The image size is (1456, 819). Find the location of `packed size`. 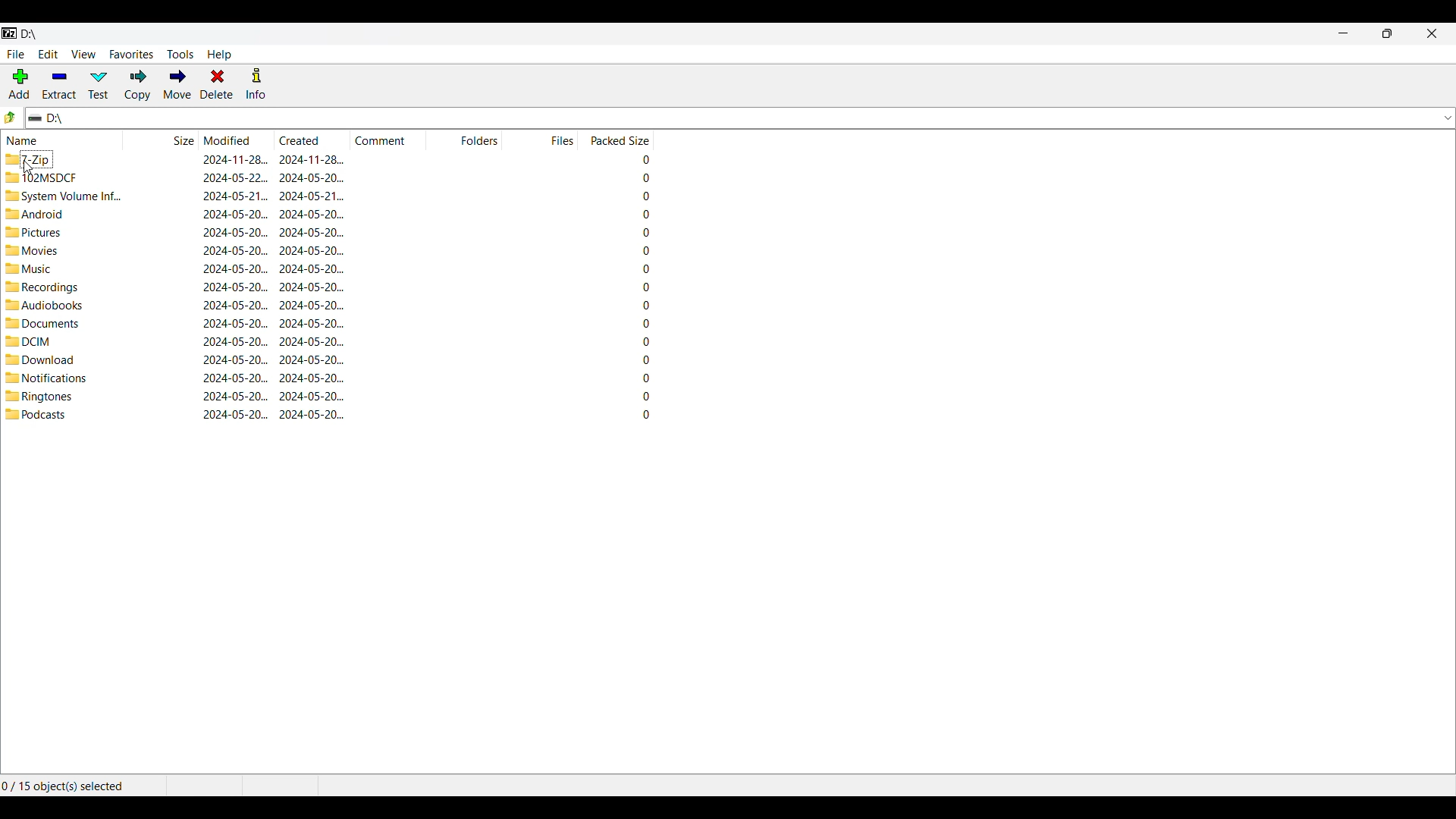

packed size is located at coordinates (642, 395).